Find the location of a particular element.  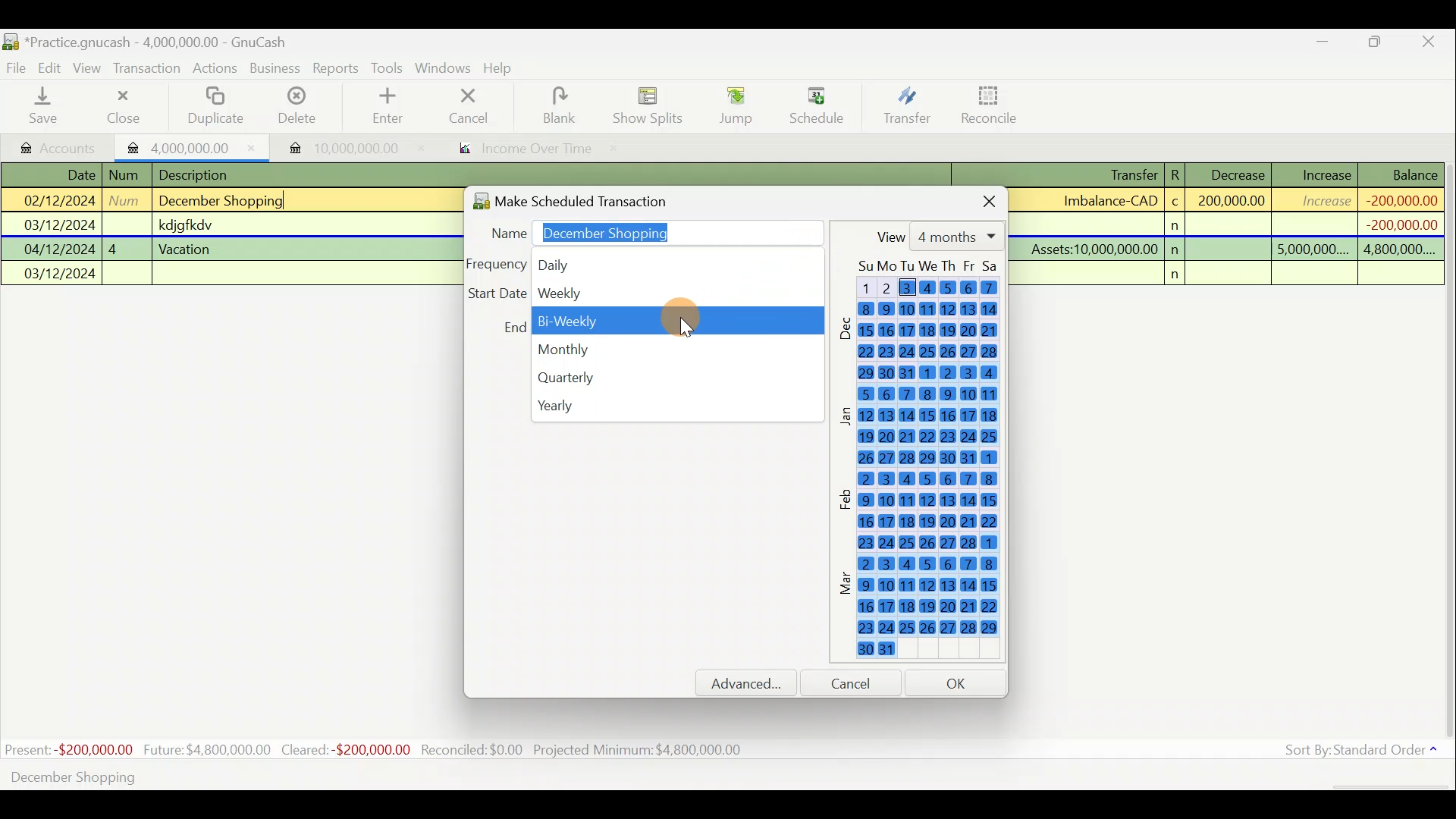

Actions is located at coordinates (215, 71).